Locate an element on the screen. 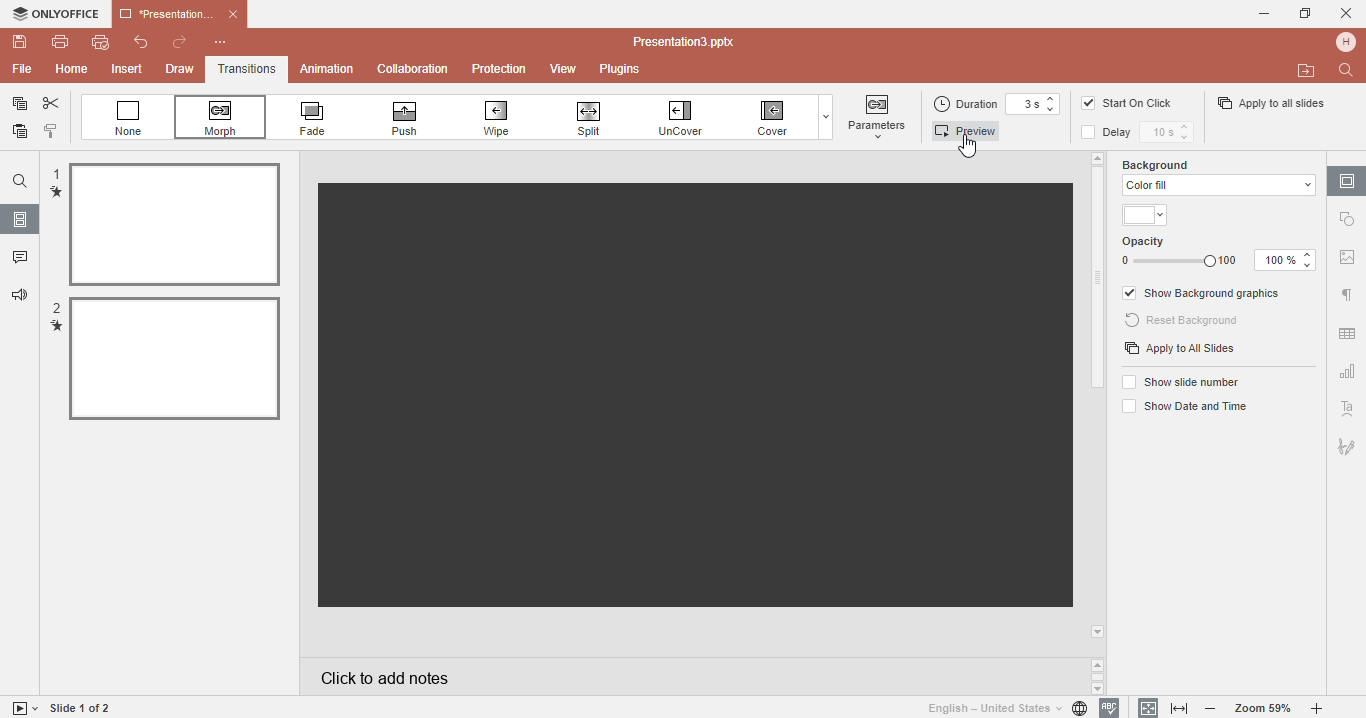 The width and height of the screenshot is (1366, 718). Plugins is located at coordinates (629, 70).